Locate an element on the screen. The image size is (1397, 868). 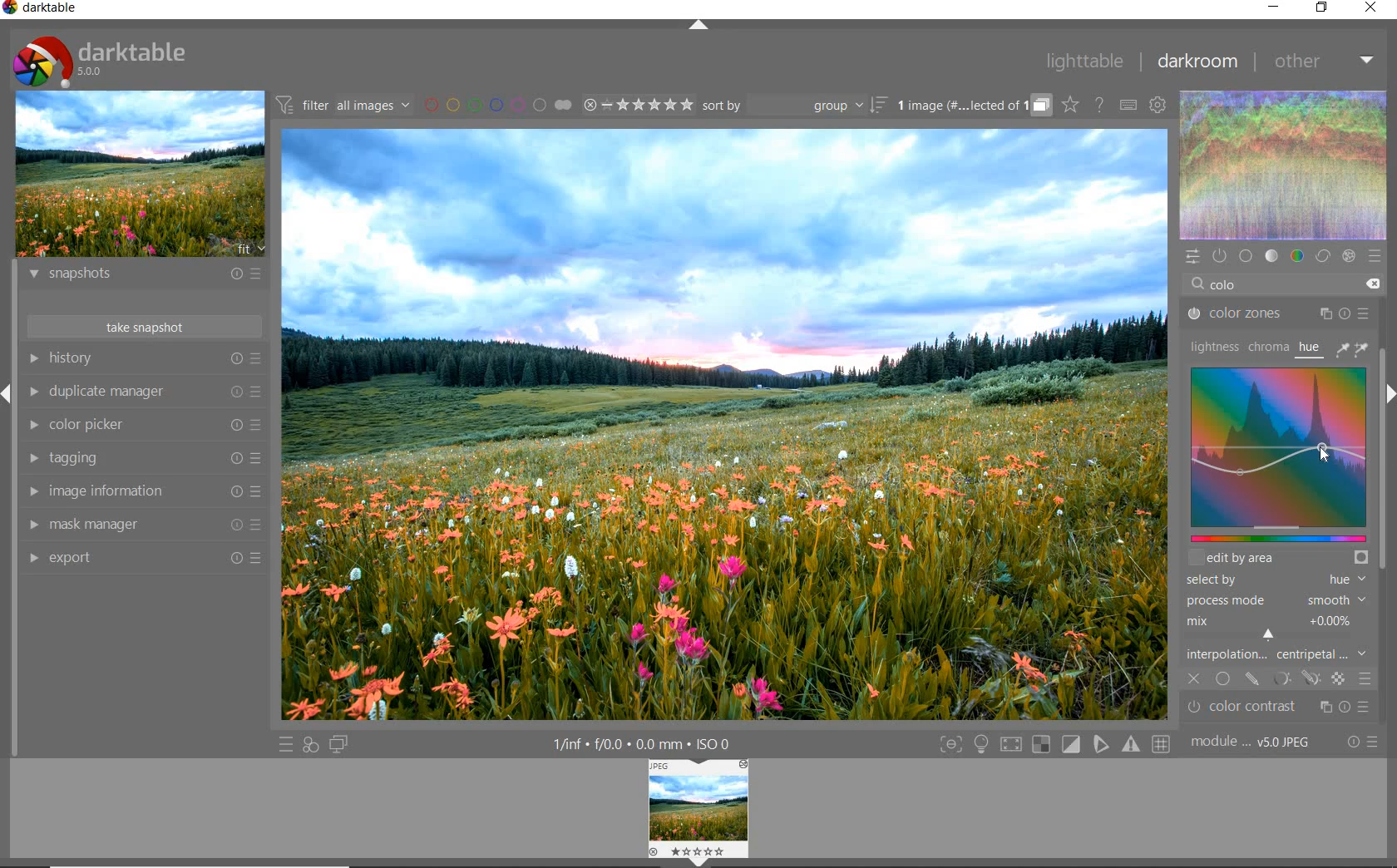
lighttable is located at coordinates (1084, 62).